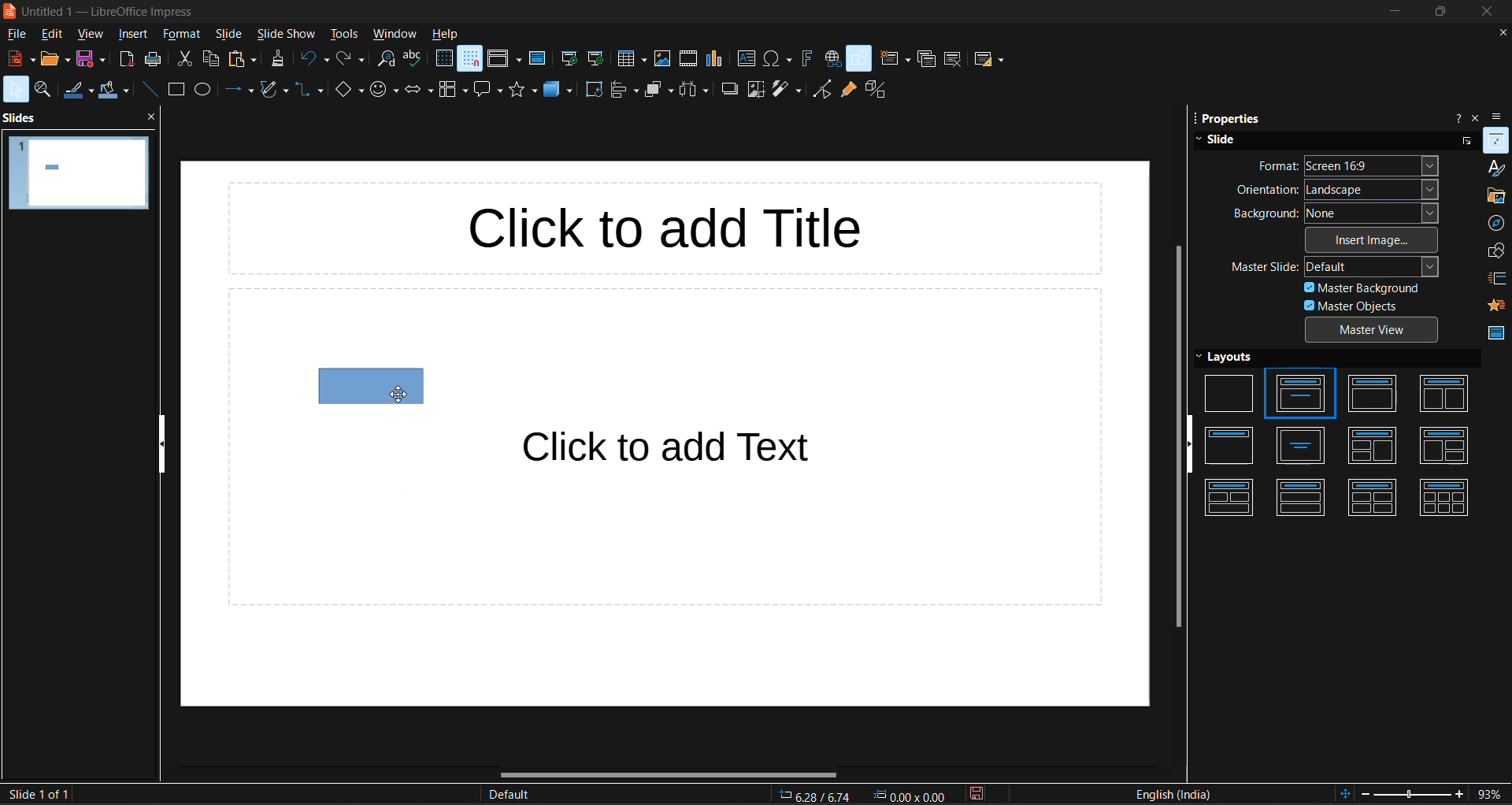  What do you see at coordinates (1439, 13) in the screenshot?
I see `maximize` at bounding box center [1439, 13].